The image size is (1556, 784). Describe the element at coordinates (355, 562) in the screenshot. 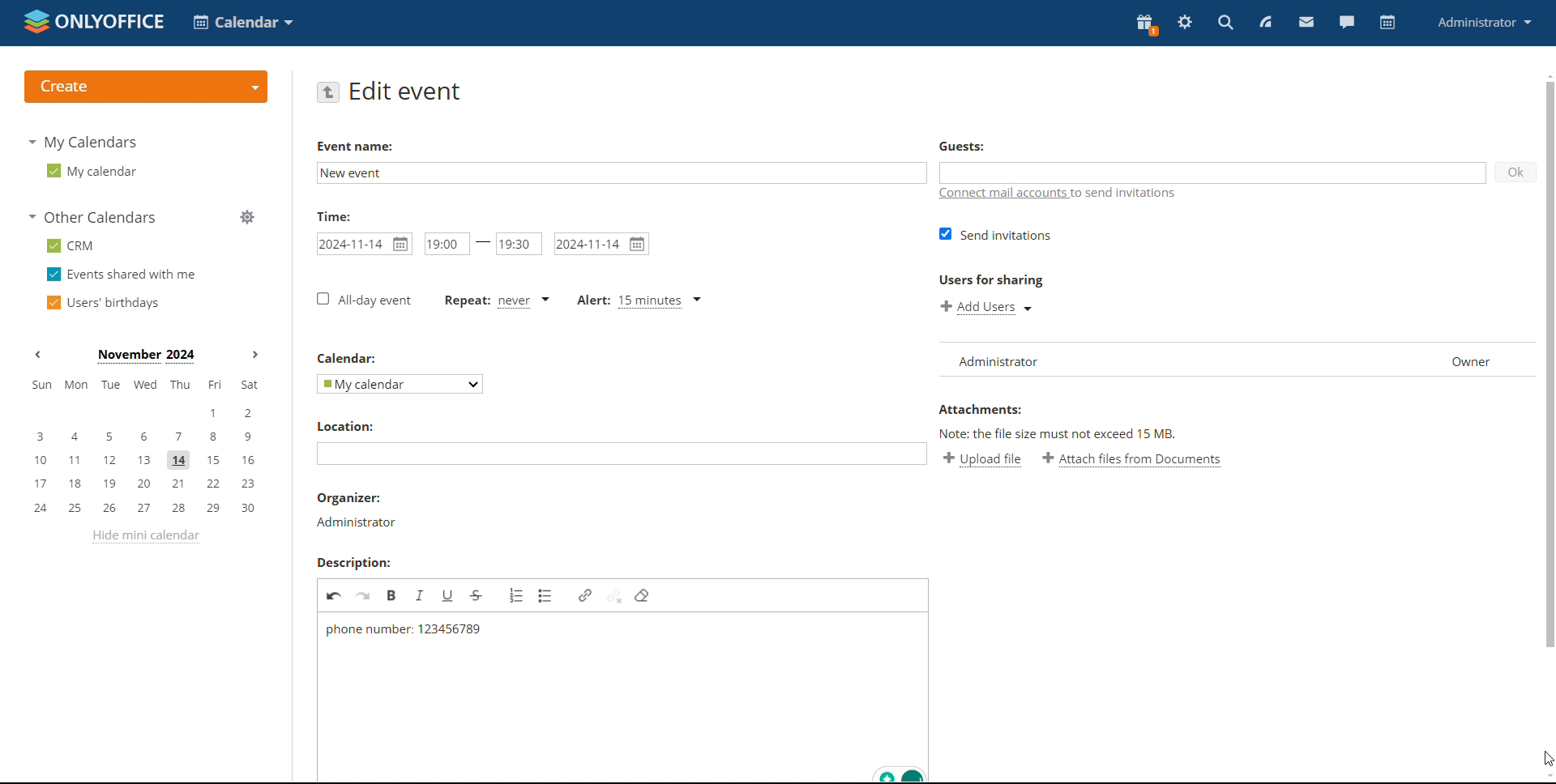

I see `description` at that location.